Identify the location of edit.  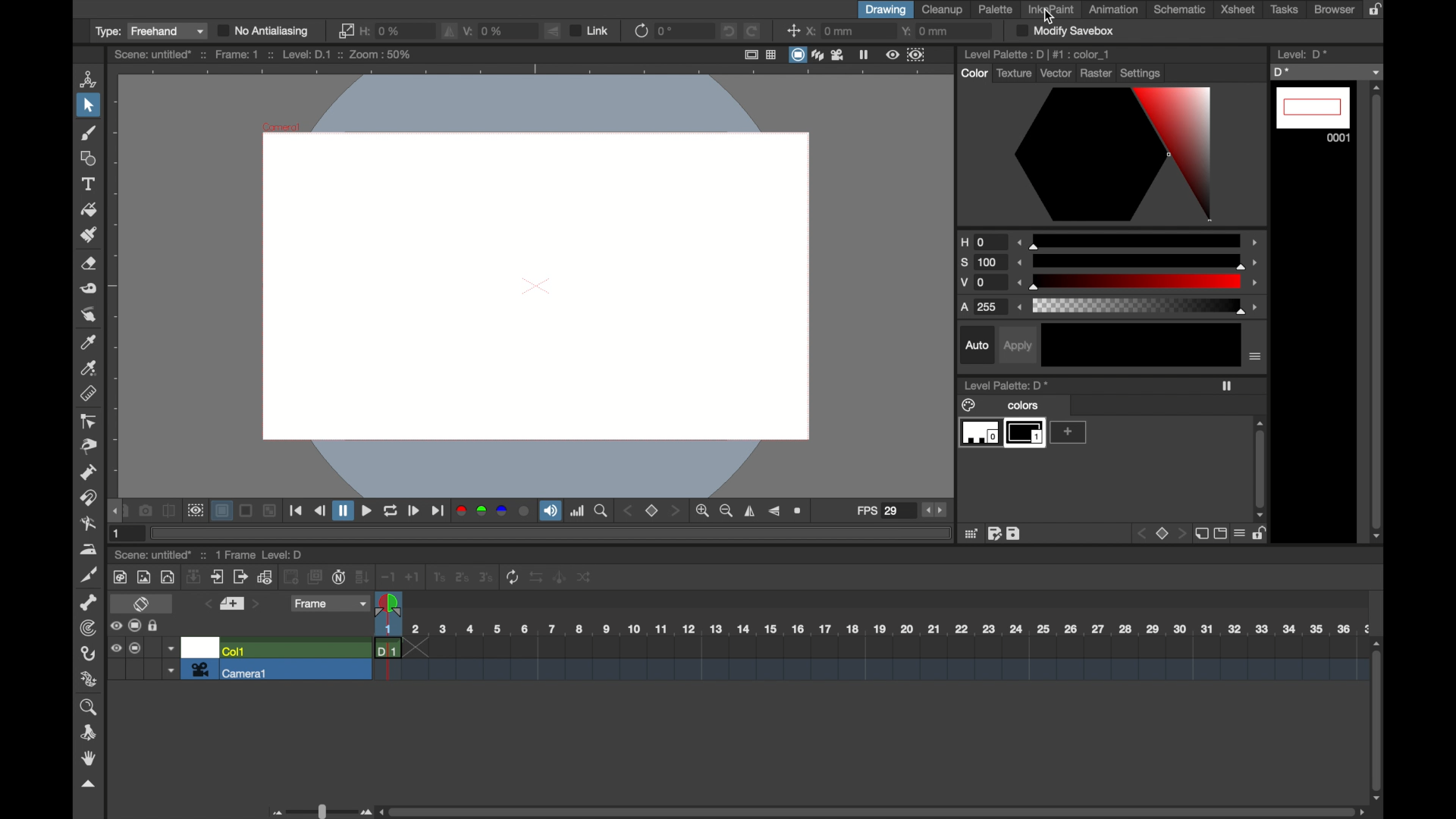
(993, 535).